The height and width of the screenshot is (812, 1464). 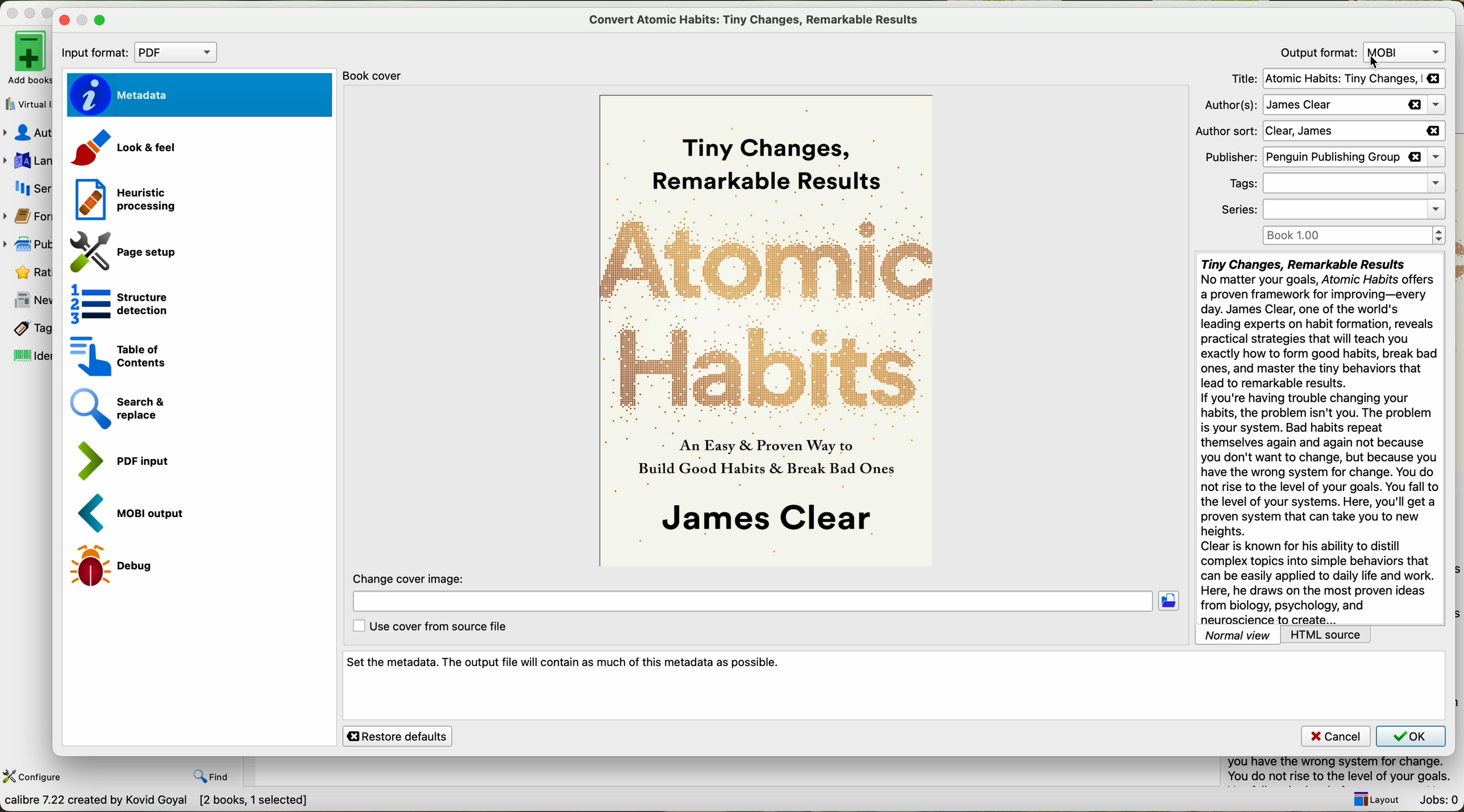 What do you see at coordinates (114, 567) in the screenshot?
I see `debug` at bounding box center [114, 567].